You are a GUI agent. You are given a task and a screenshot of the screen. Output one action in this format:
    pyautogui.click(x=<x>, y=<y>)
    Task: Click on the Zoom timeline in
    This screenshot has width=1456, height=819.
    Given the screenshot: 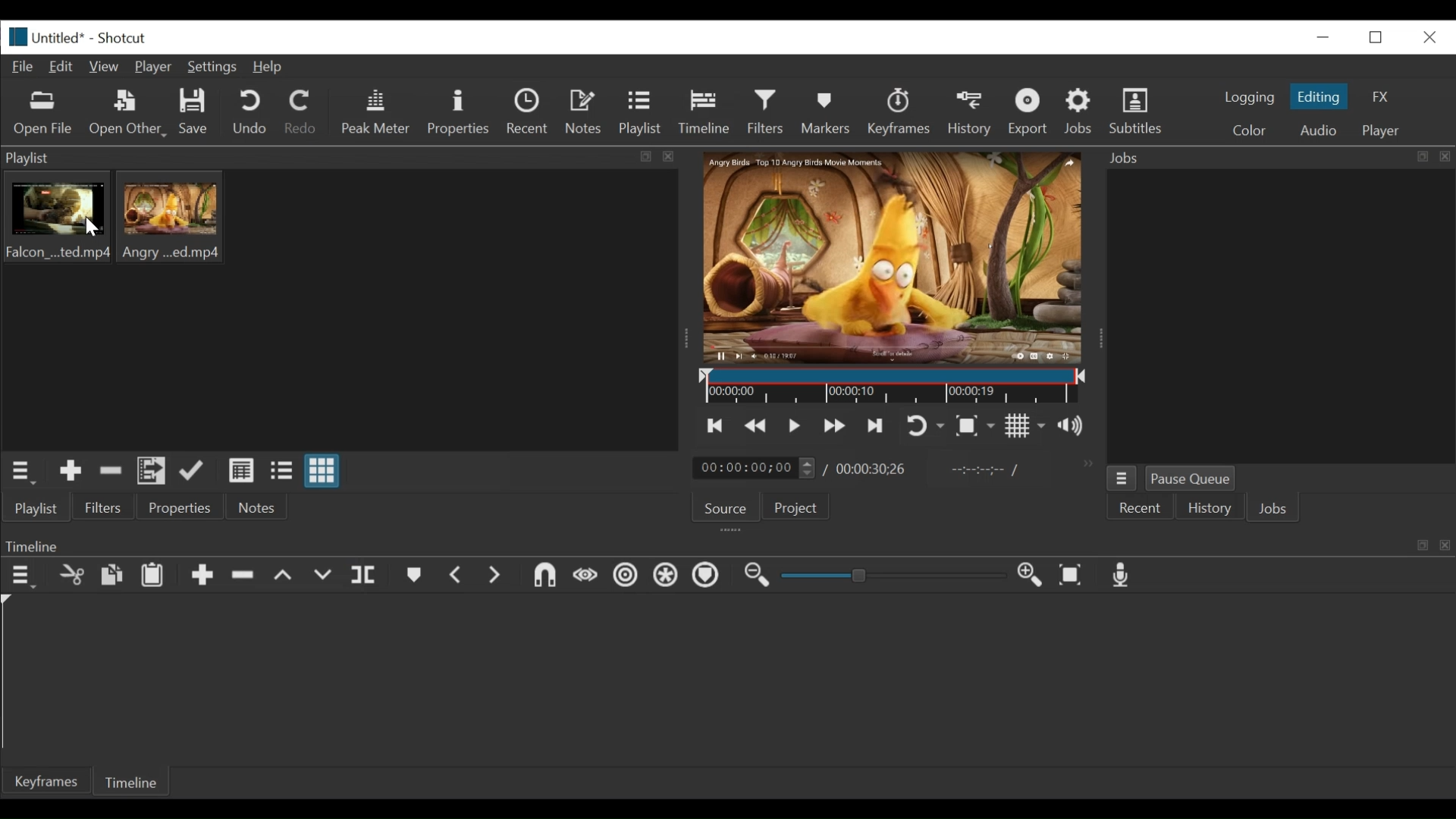 What is the action you would take?
    pyautogui.click(x=755, y=577)
    